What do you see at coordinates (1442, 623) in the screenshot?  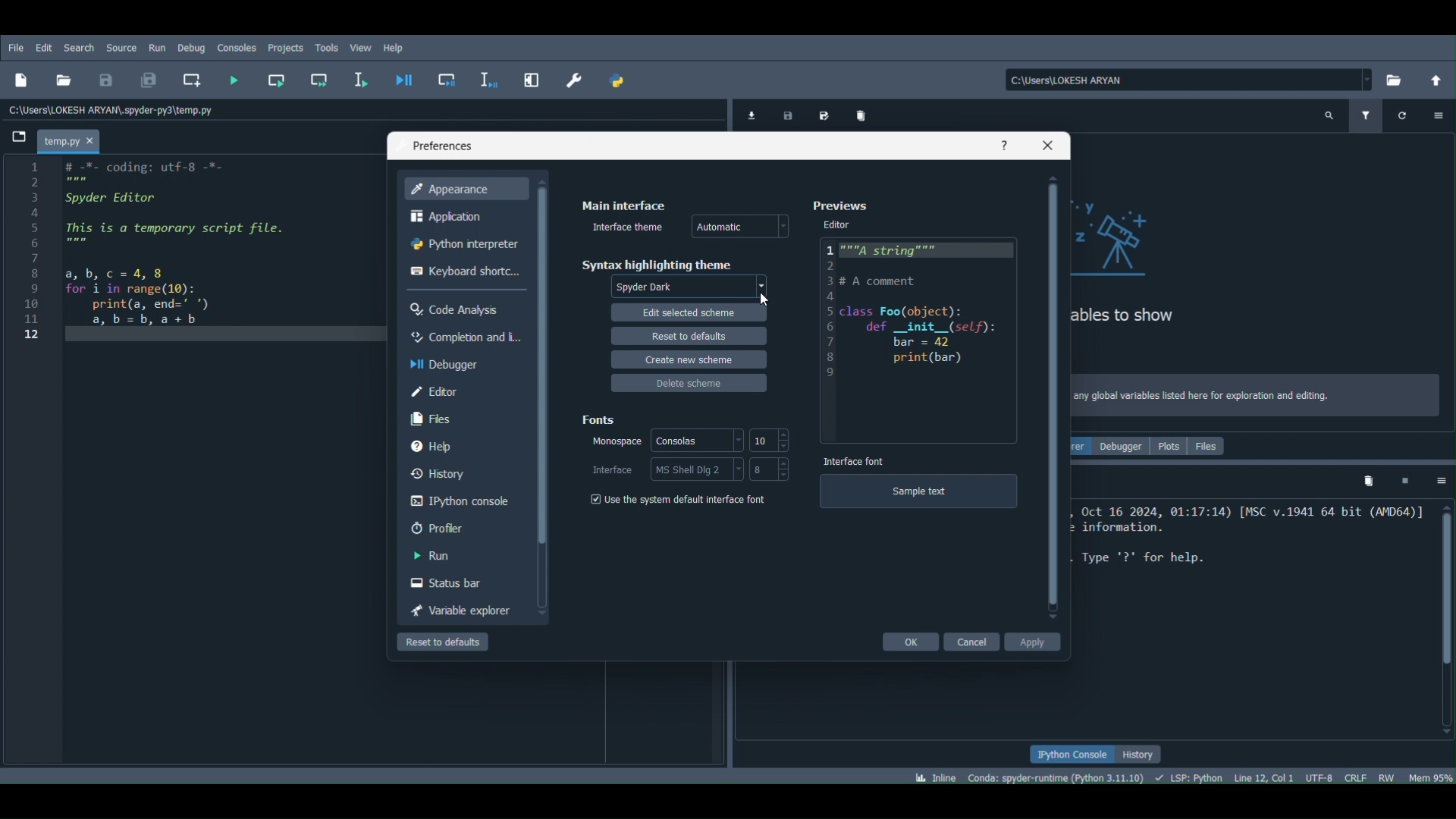 I see `Scrollbar` at bounding box center [1442, 623].